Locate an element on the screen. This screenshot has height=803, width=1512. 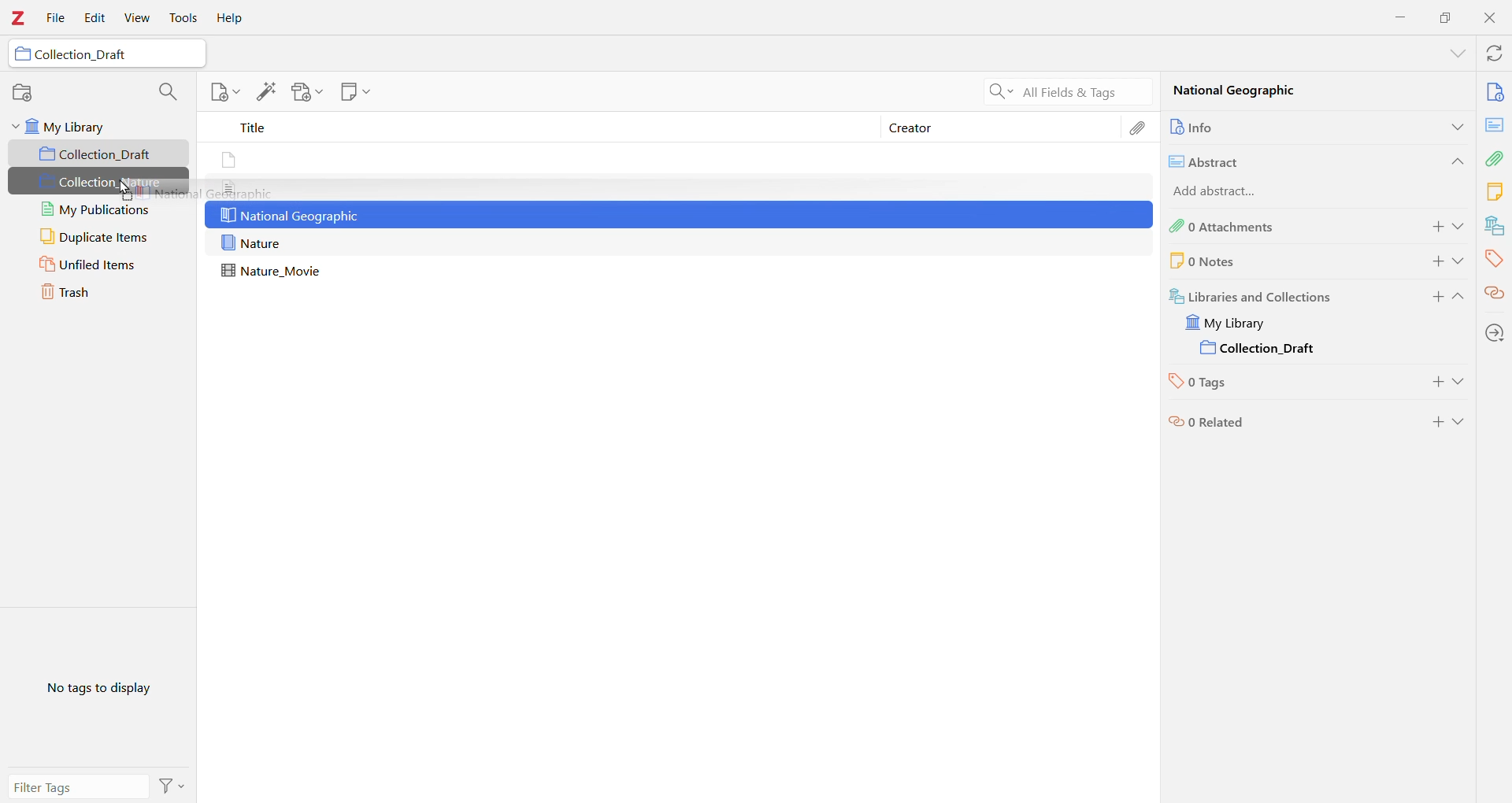
Tags is located at coordinates (1494, 258).